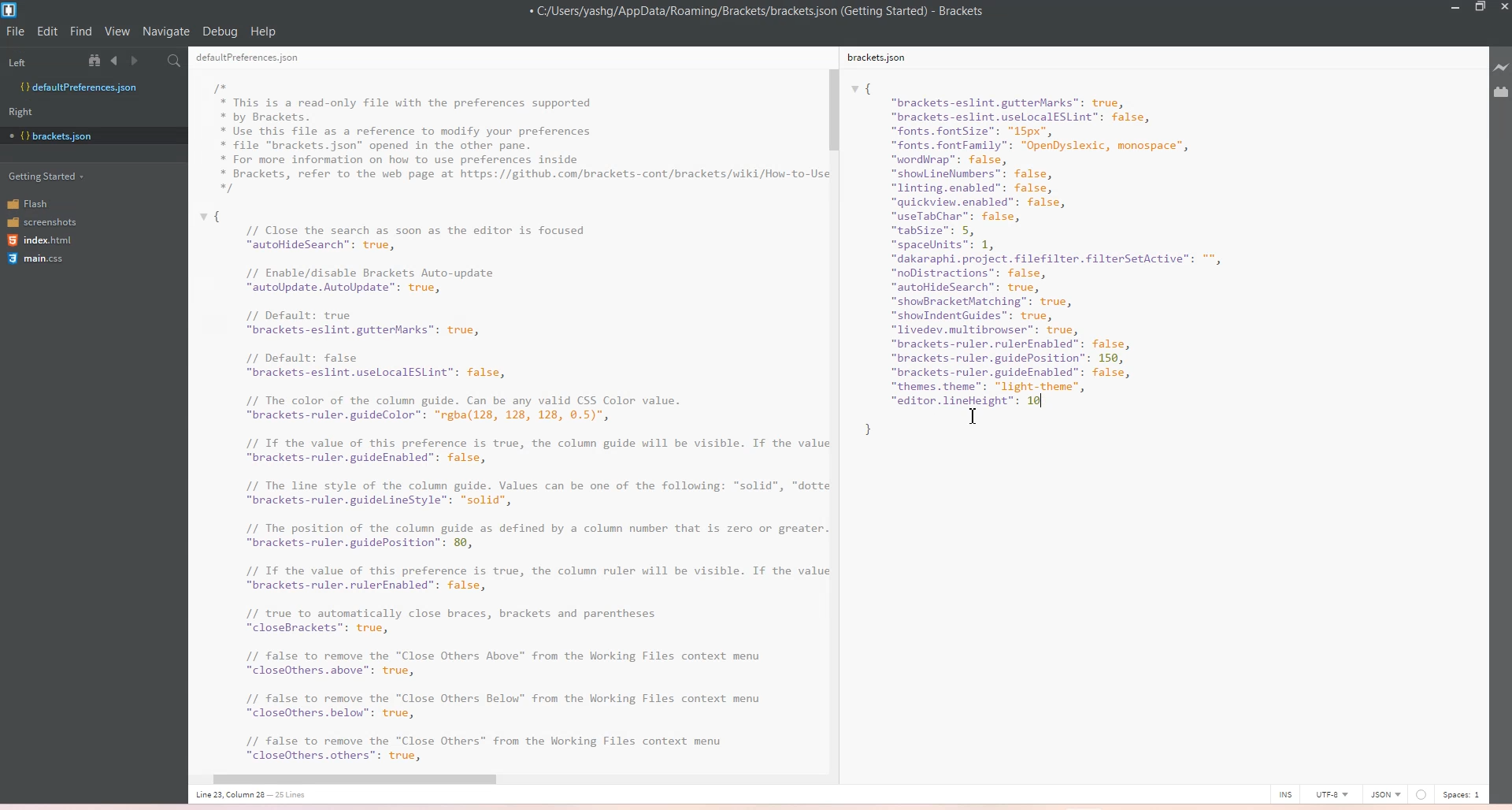 This screenshot has height=810, width=1512. I want to click on C/Users/yashg/AppData/Roaming/Brackets/brackets json (Getting Started) - Brackets, so click(768, 12).